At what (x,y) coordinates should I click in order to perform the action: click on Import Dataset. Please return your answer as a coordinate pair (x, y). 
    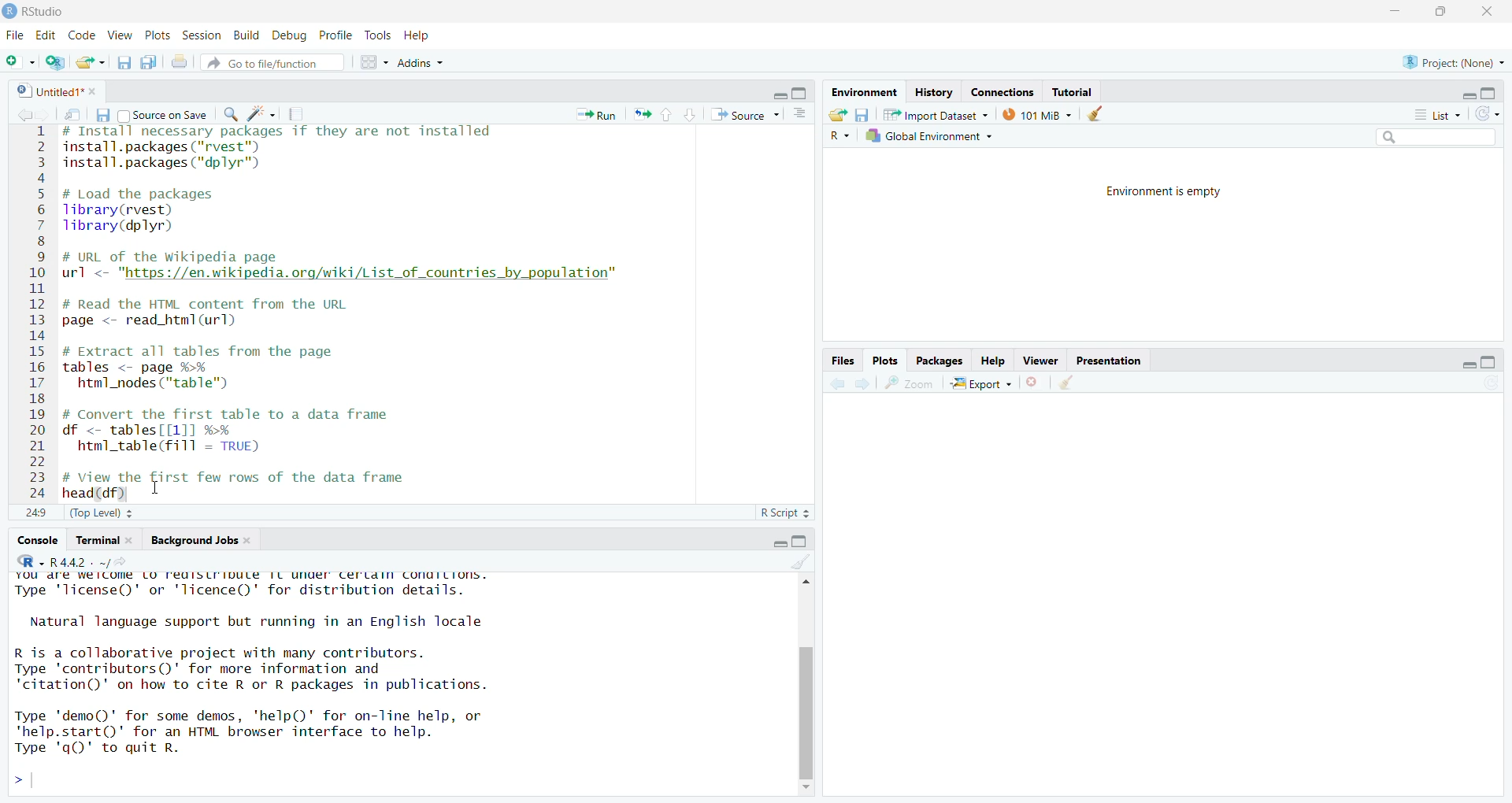
    Looking at the image, I should click on (935, 114).